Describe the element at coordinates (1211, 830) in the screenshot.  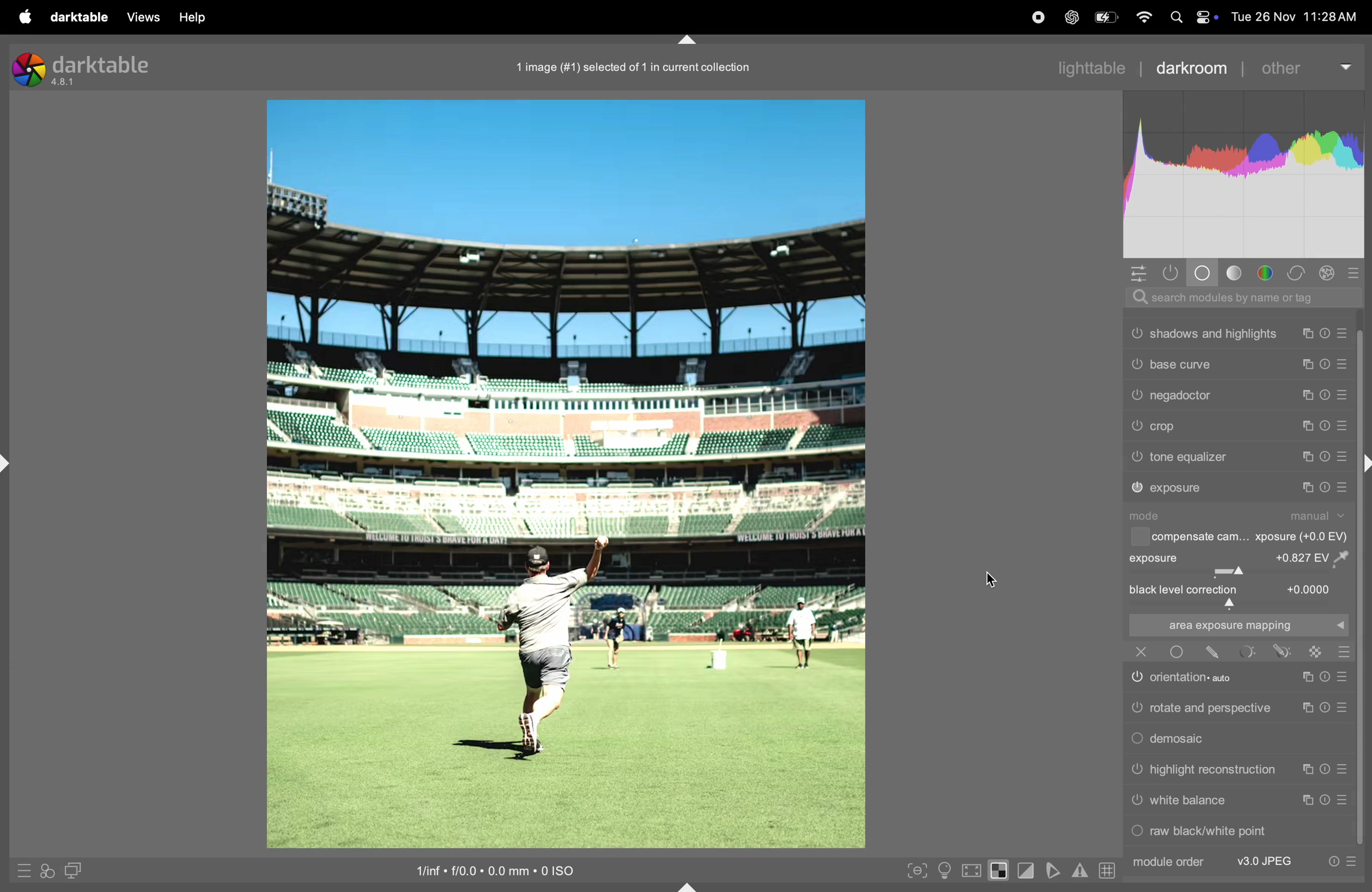
I see `raw balck and white point` at that location.